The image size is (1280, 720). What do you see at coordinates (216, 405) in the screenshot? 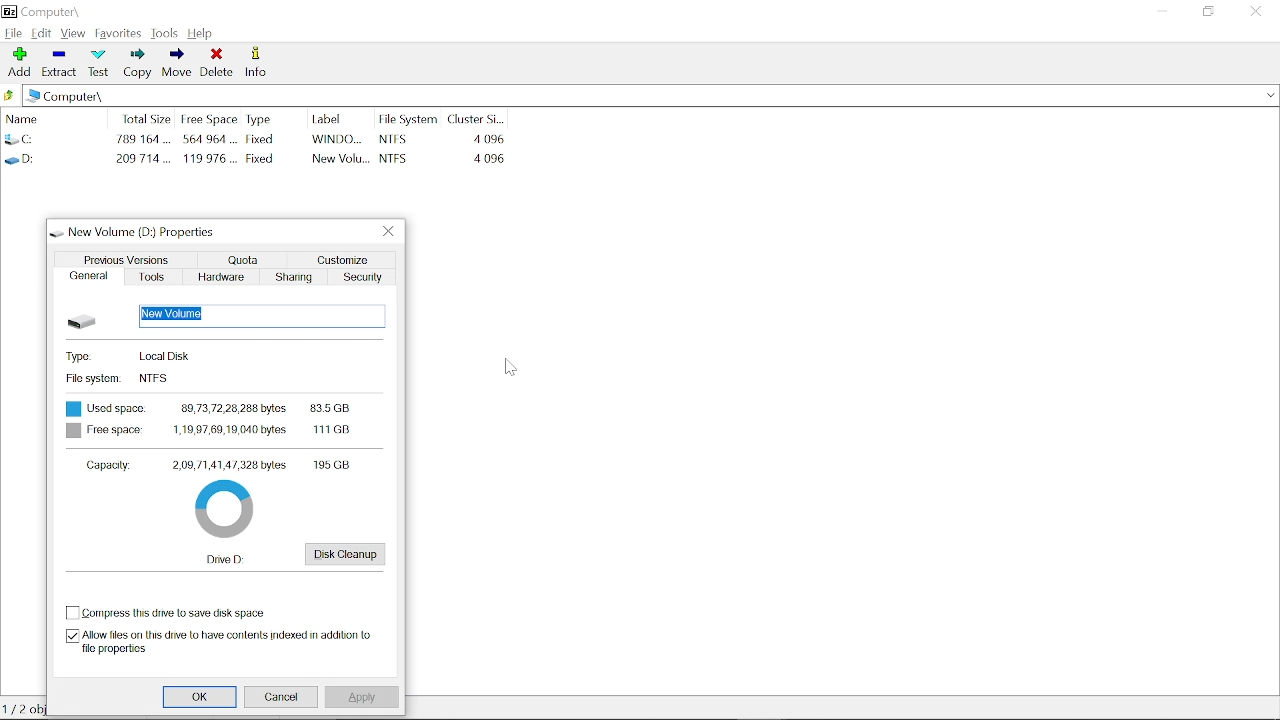
I see `Used space 89,73,72,28,288bytes  83.5GB` at bounding box center [216, 405].